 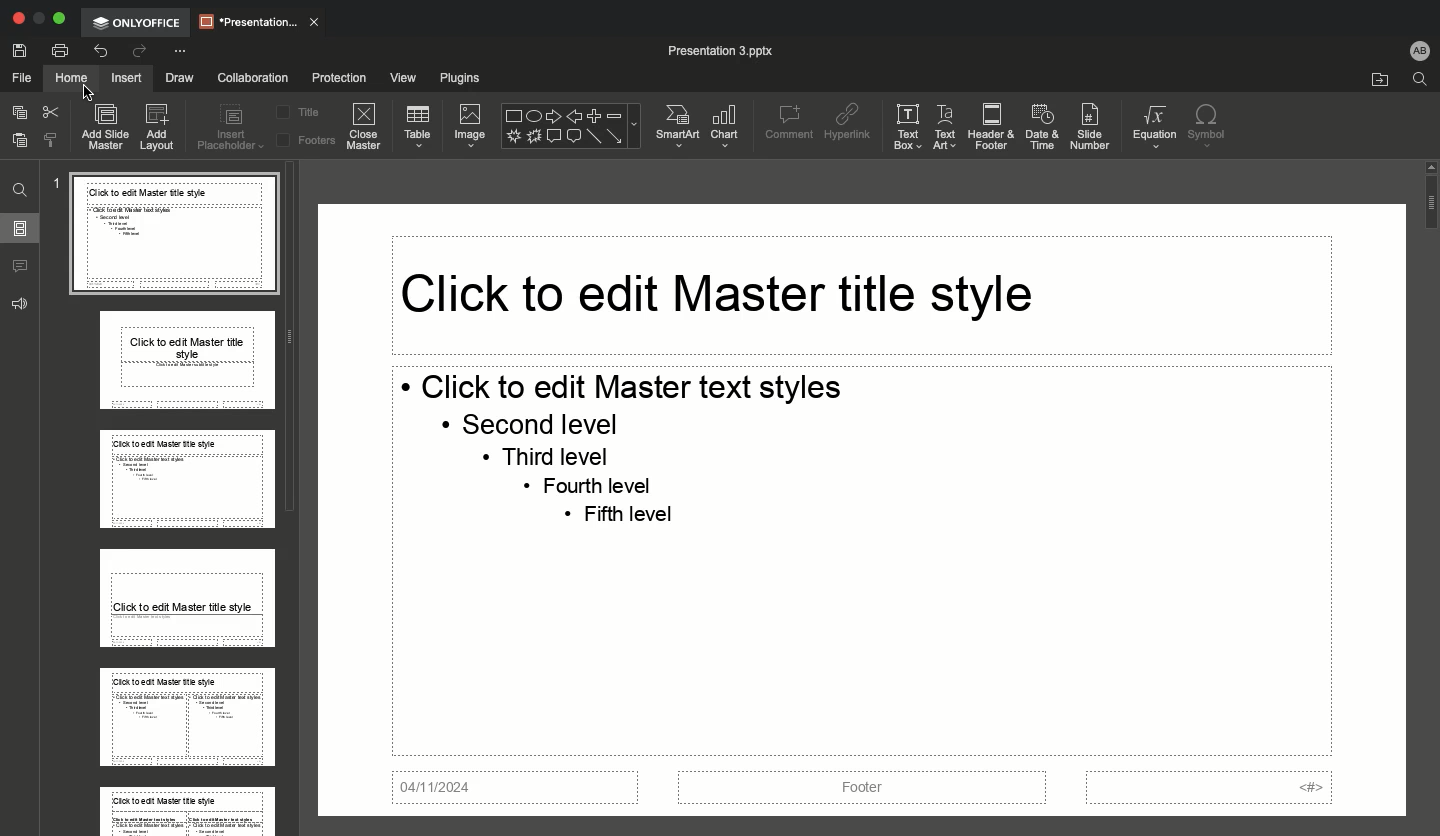 I want to click on Chart, so click(x=724, y=127).